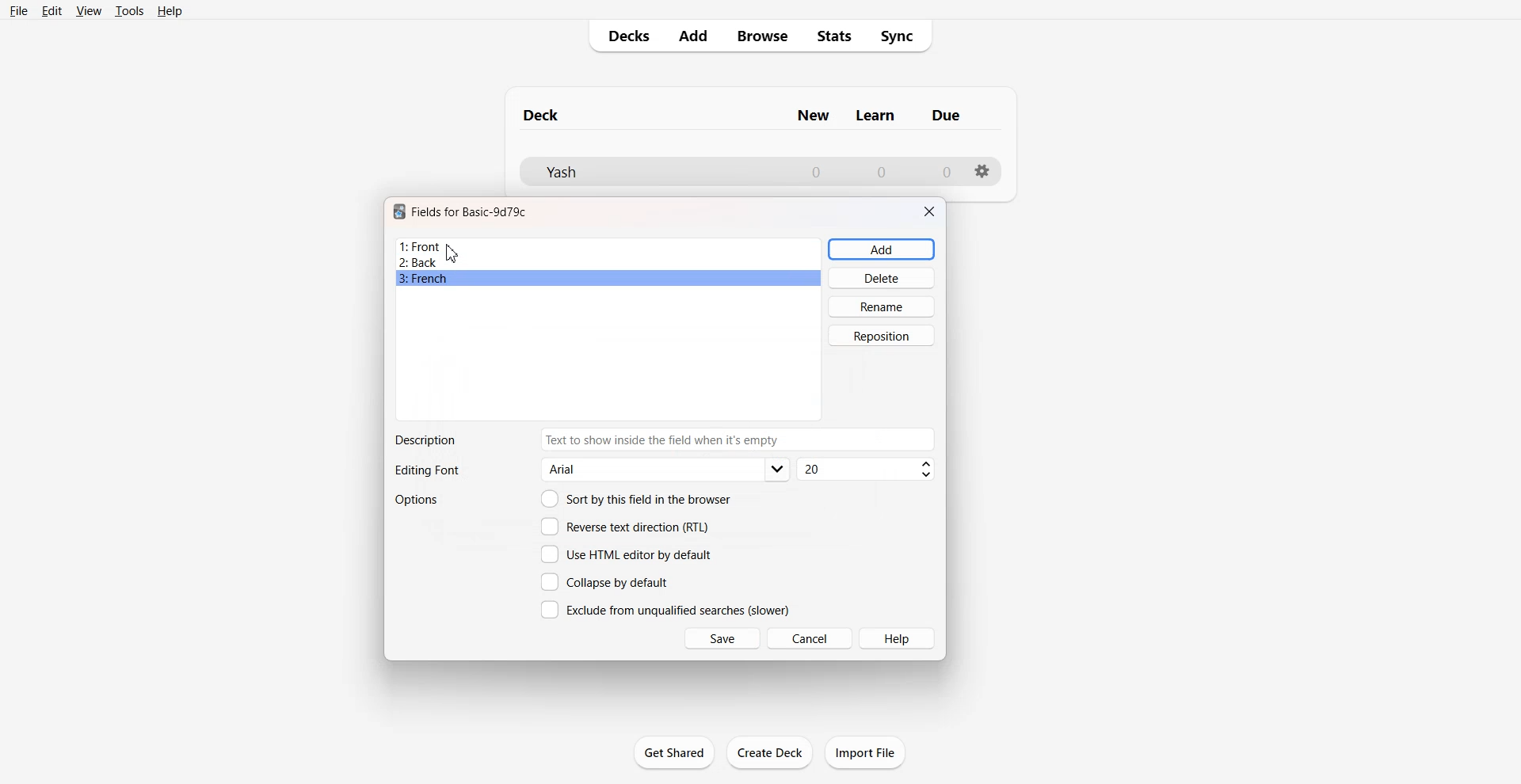  Describe the element at coordinates (882, 249) in the screenshot. I see `Add` at that location.